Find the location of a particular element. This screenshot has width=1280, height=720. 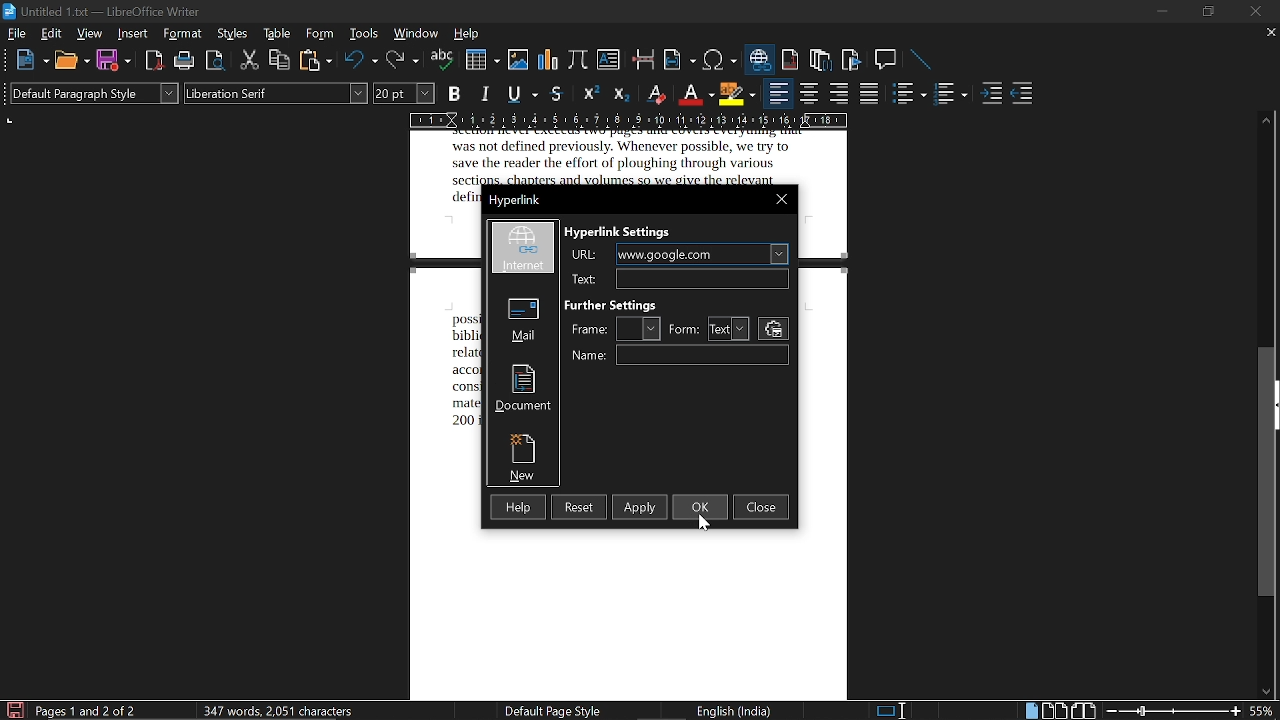

standard selection is located at coordinates (895, 710).